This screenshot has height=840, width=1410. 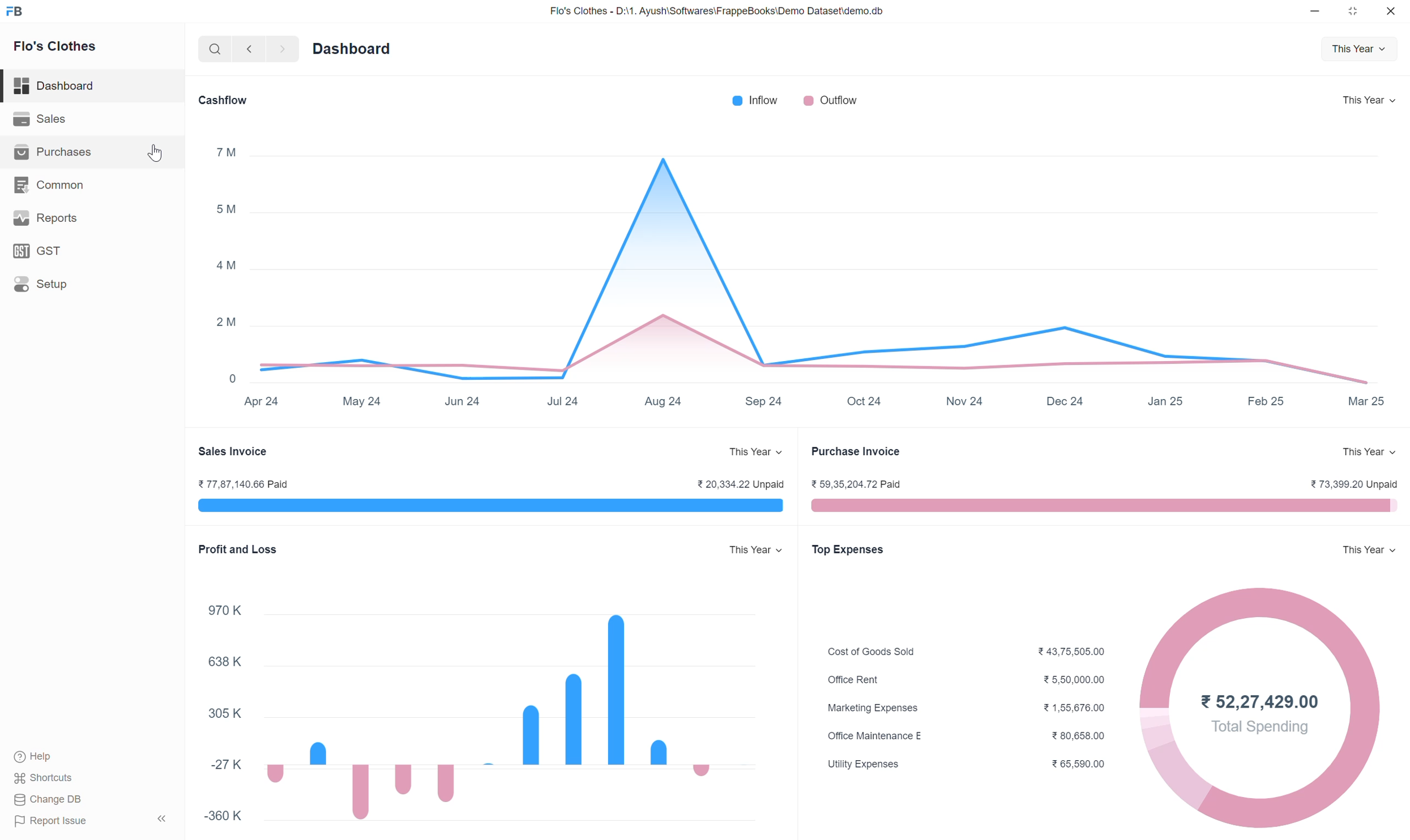 What do you see at coordinates (1351, 14) in the screenshot?
I see `restore down` at bounding box center [1351, 14].